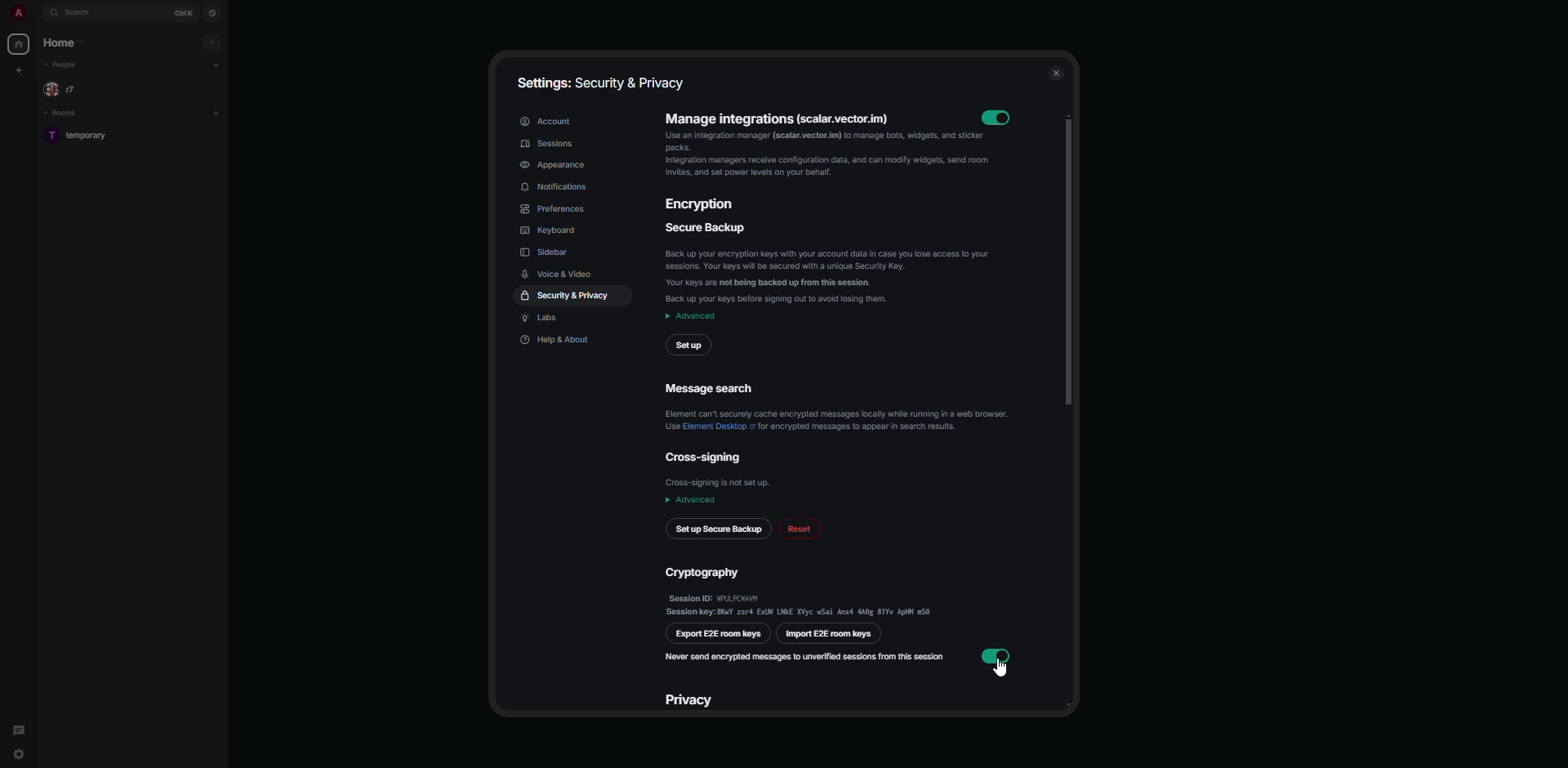 This screenshot has width=1568, height=768. I want to click on import e2e room keys, so click(828, 636).